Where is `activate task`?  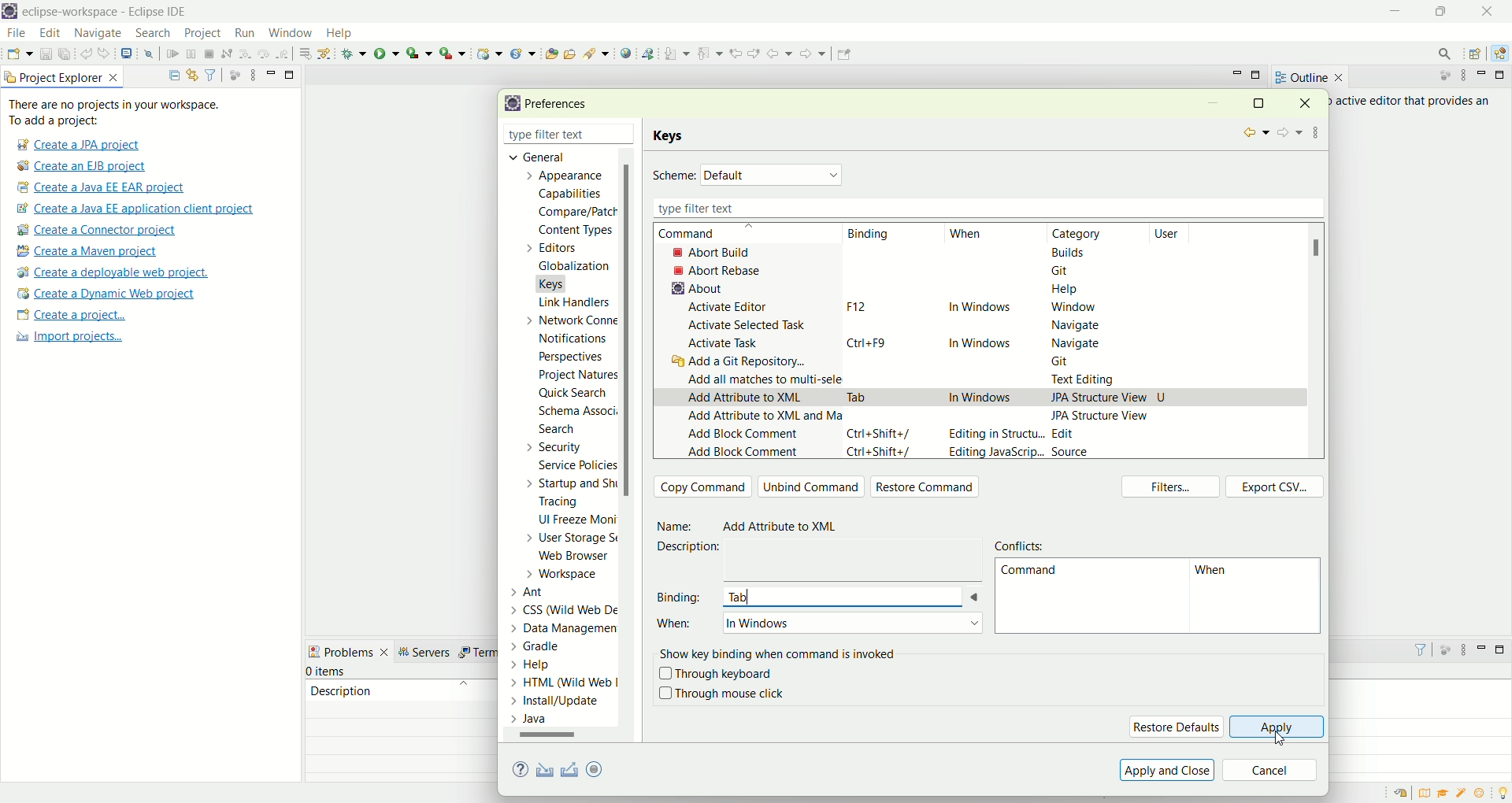 activate task is located at coordinates (724, 344).